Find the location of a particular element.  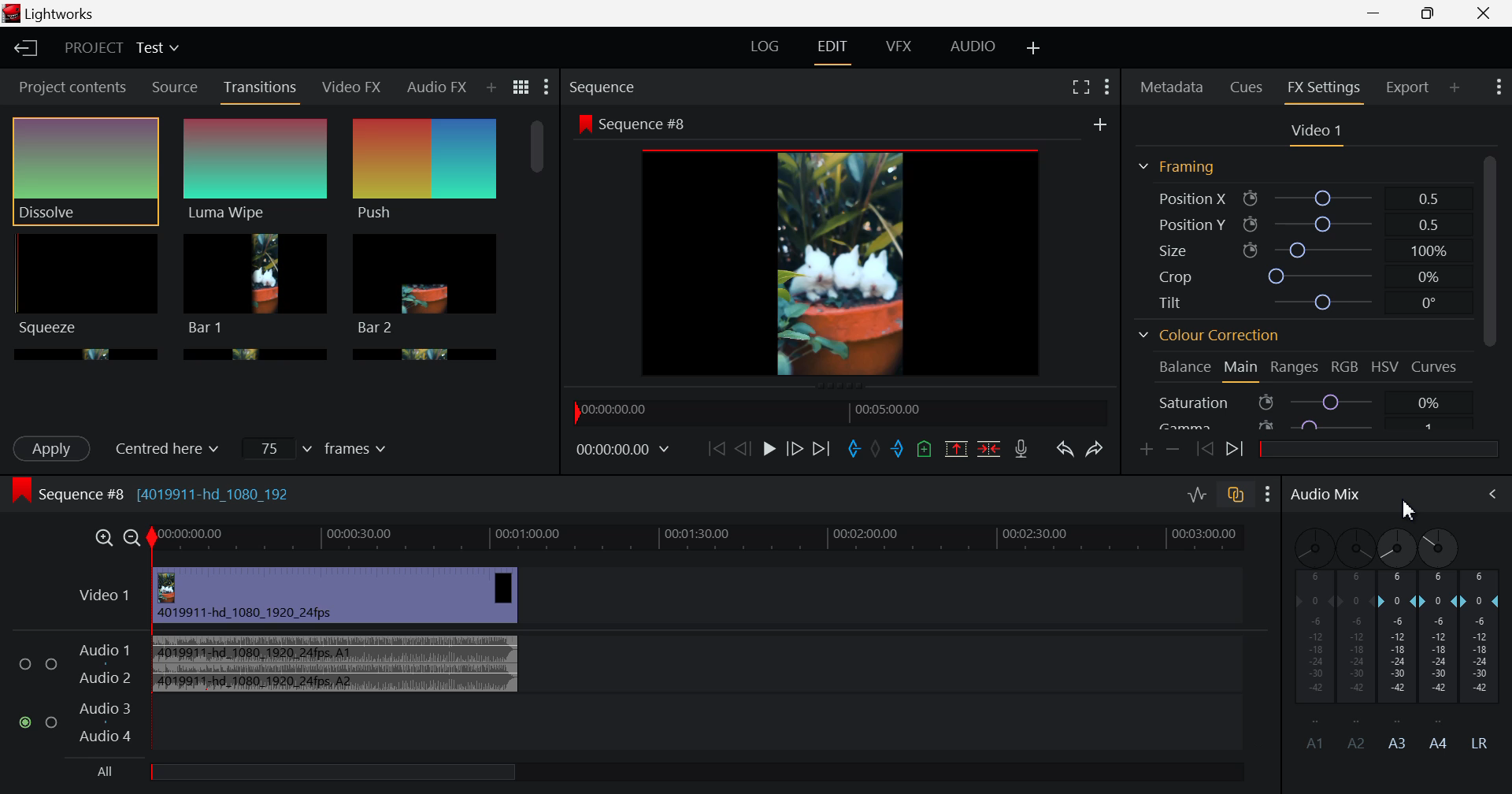

Add Layout is located at coordinates (1032, 47).